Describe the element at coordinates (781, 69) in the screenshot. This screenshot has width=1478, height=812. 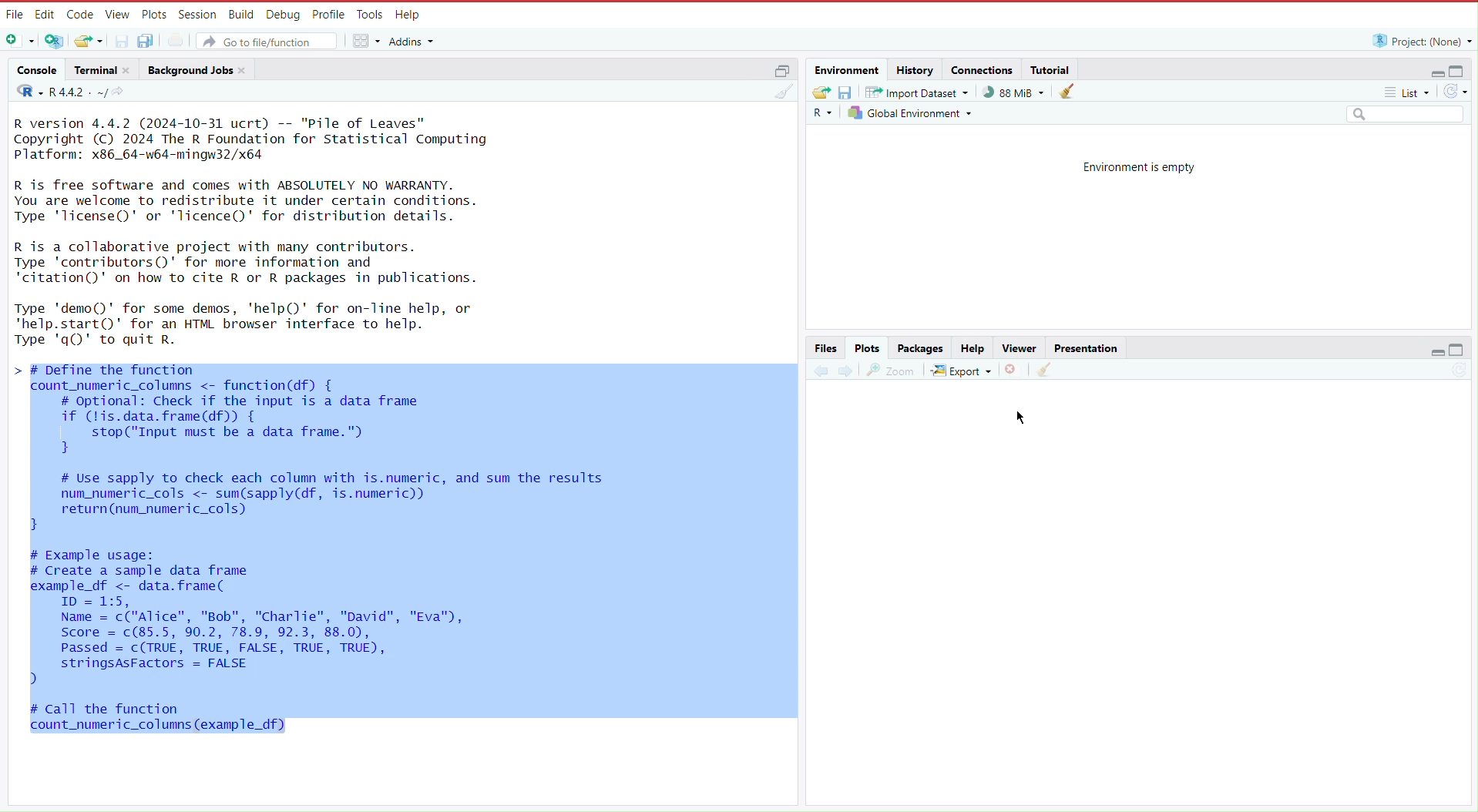
I see `Maximize` at that location.